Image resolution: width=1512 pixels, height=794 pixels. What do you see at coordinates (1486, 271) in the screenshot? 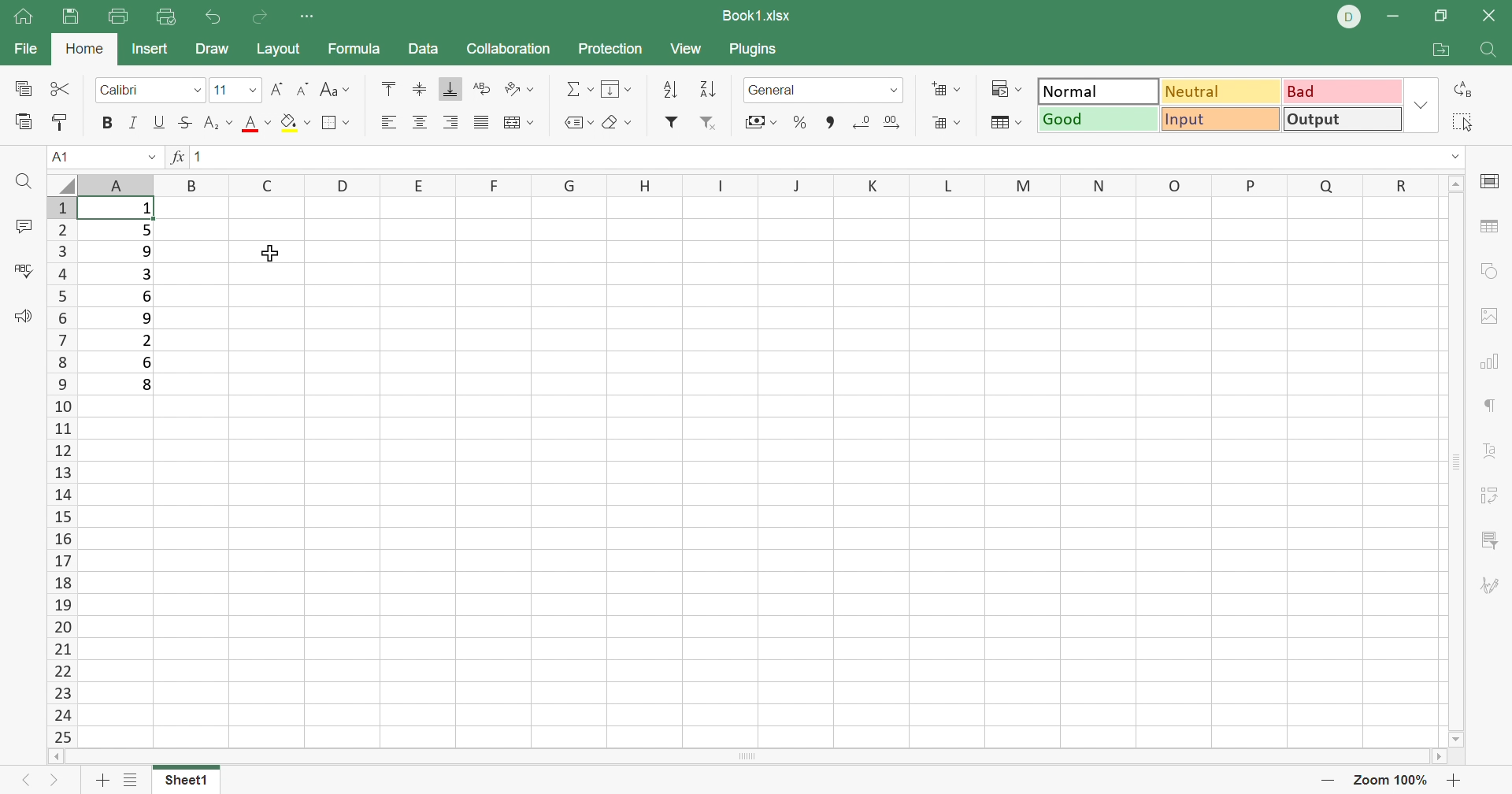
I see `Shape settings` at bounding box center [1486, 271].